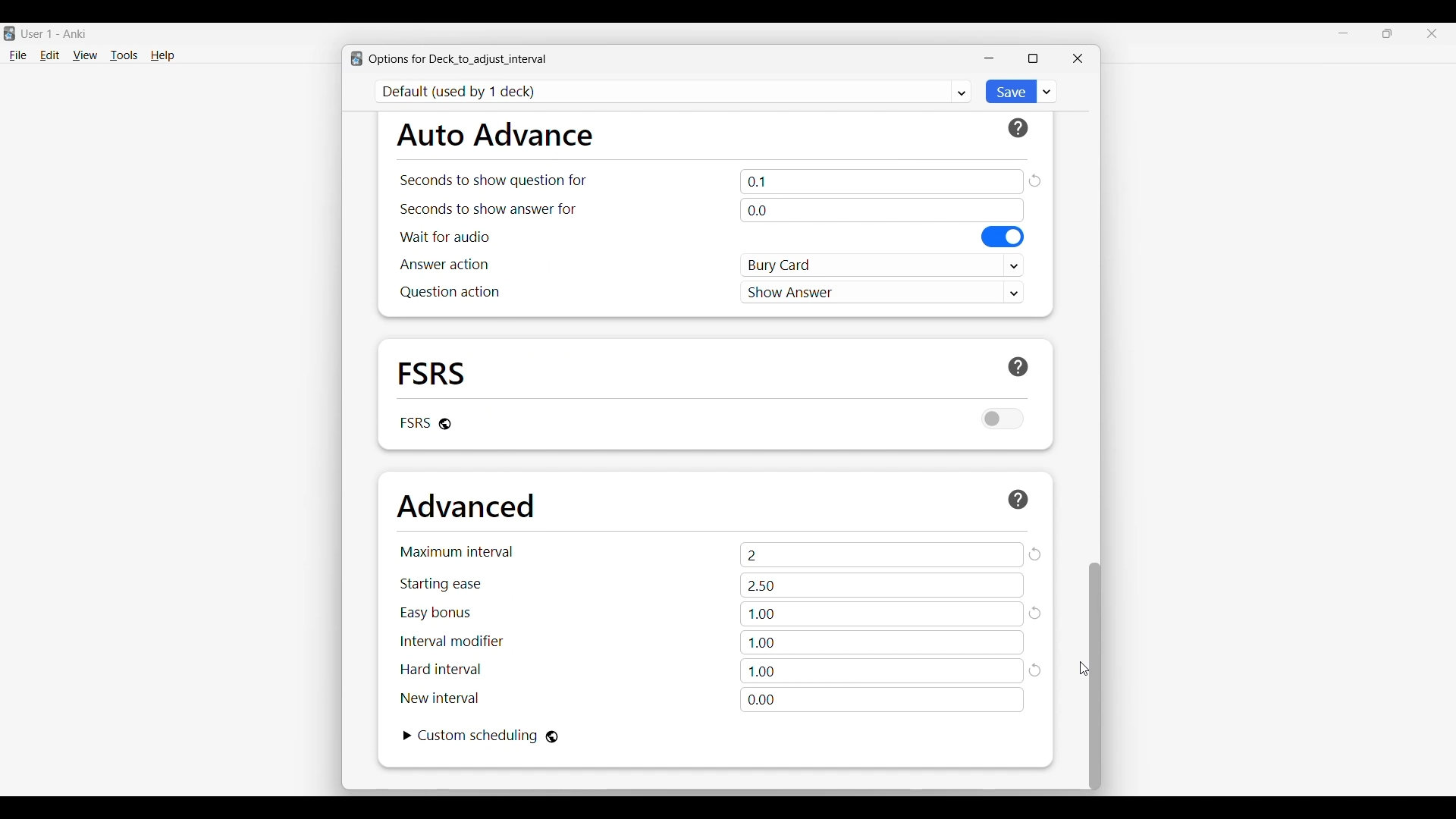 The height and width of the screenshot is (819, 1456). Describe the element at coordinates (1009, 92) in the screenshot. I see `Click to save` at that location.